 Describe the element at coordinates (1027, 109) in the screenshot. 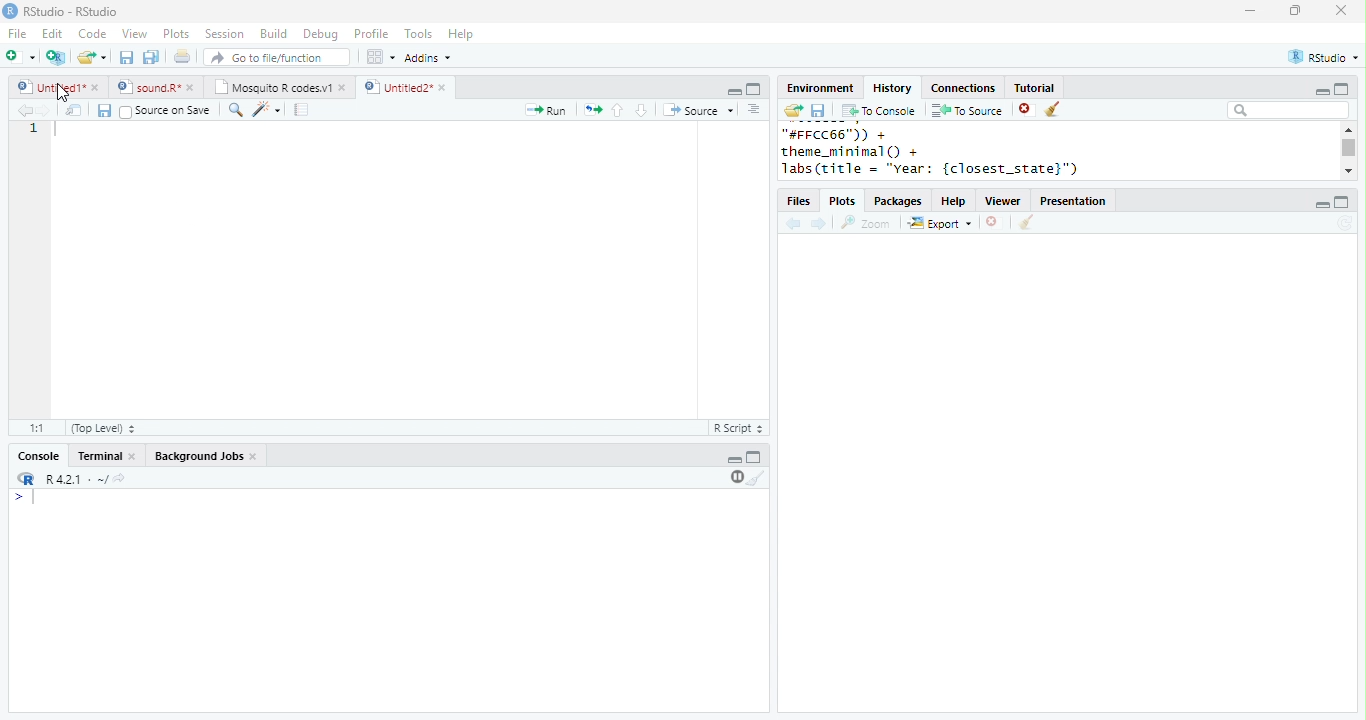

I see `close file` at that location.